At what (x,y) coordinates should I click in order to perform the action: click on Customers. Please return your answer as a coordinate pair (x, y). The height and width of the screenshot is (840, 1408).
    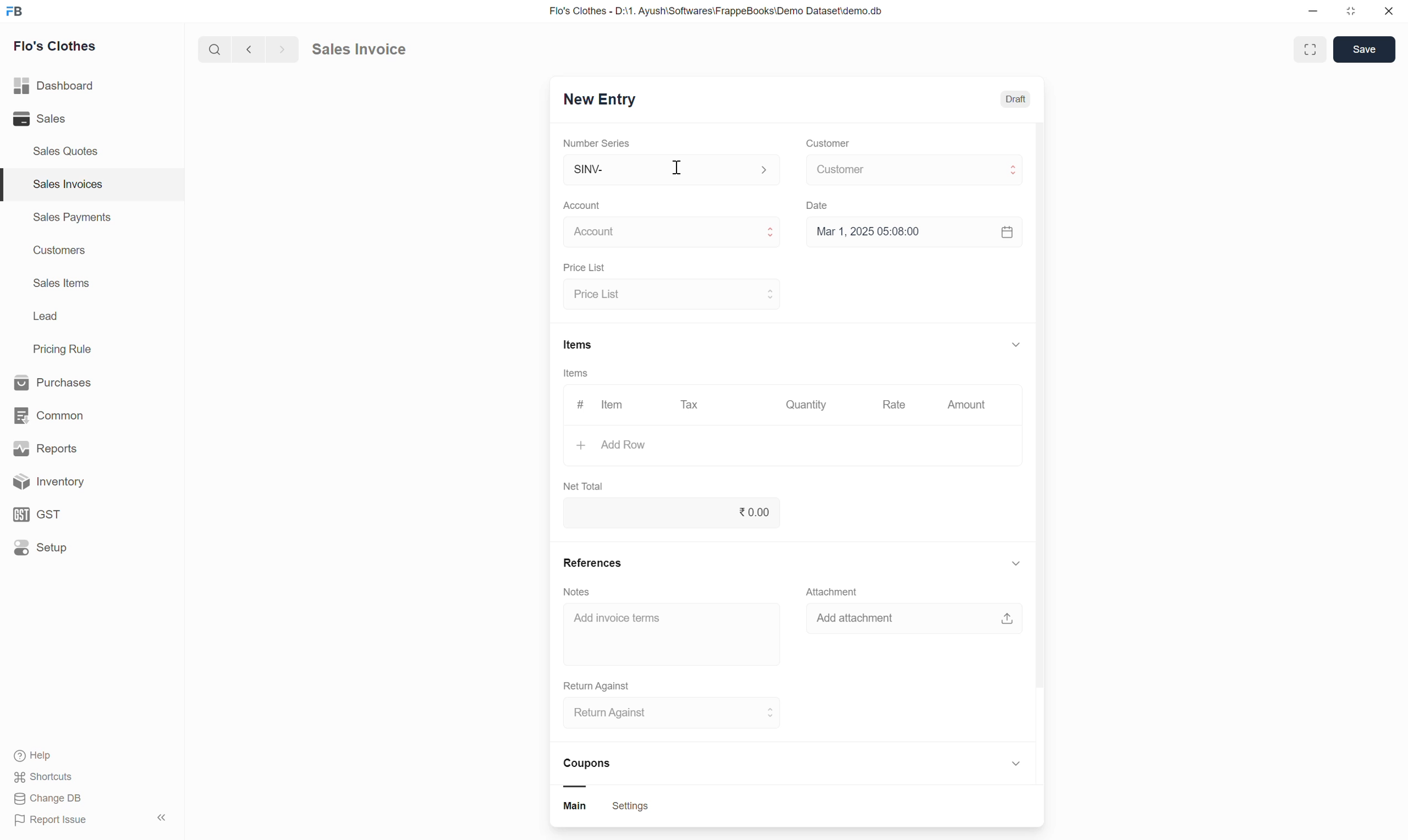
    Looking at the image, I should click on (58, 252).